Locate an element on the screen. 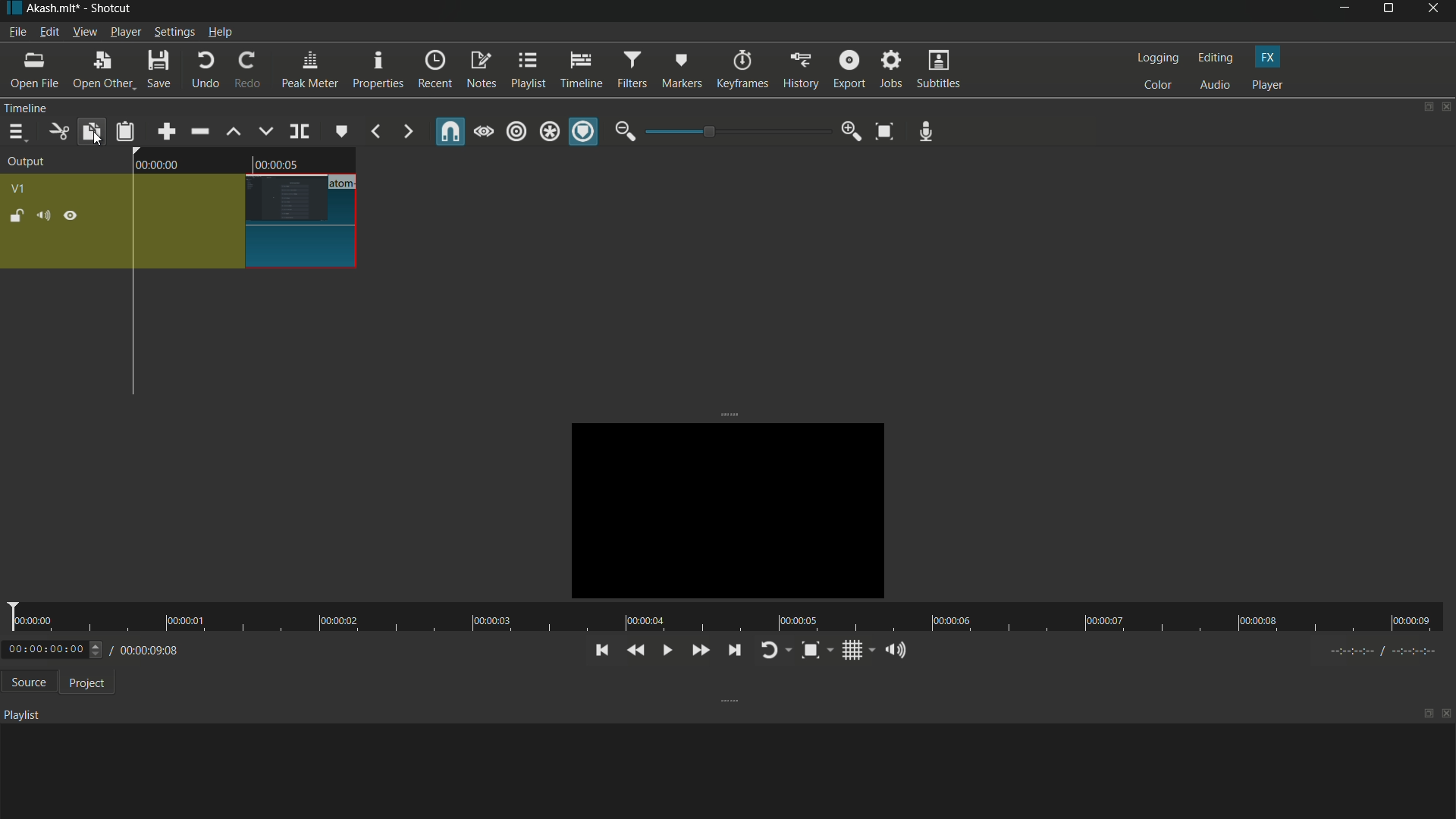 The width and height of the screenshot is (1456, 819). 0:00:02:02  is located at coordinates (54, 649).